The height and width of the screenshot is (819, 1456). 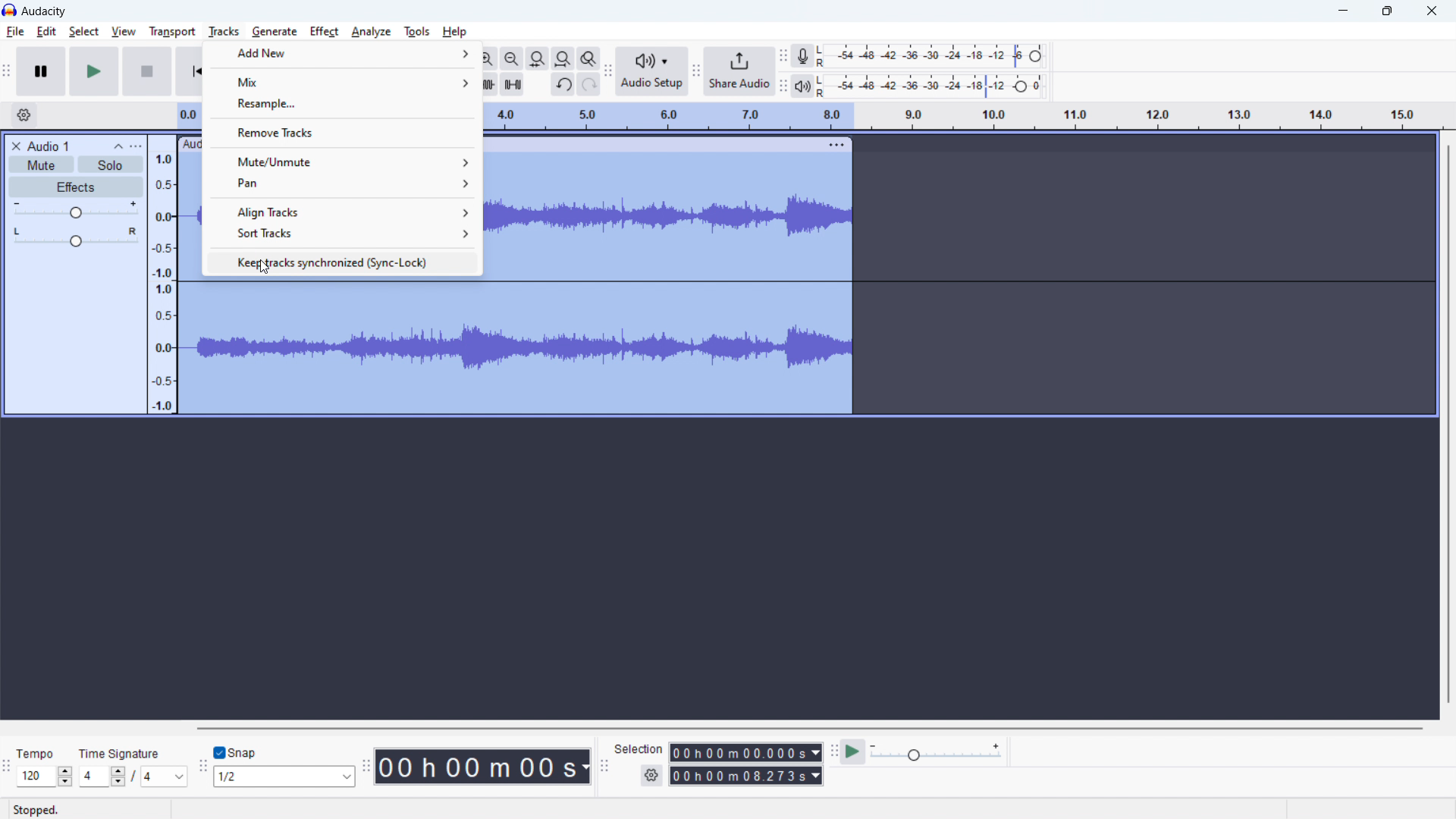 What do you see at coordinates (740, 71) in the screenshot?
I see `share audio` at bounding box center [740, 71].